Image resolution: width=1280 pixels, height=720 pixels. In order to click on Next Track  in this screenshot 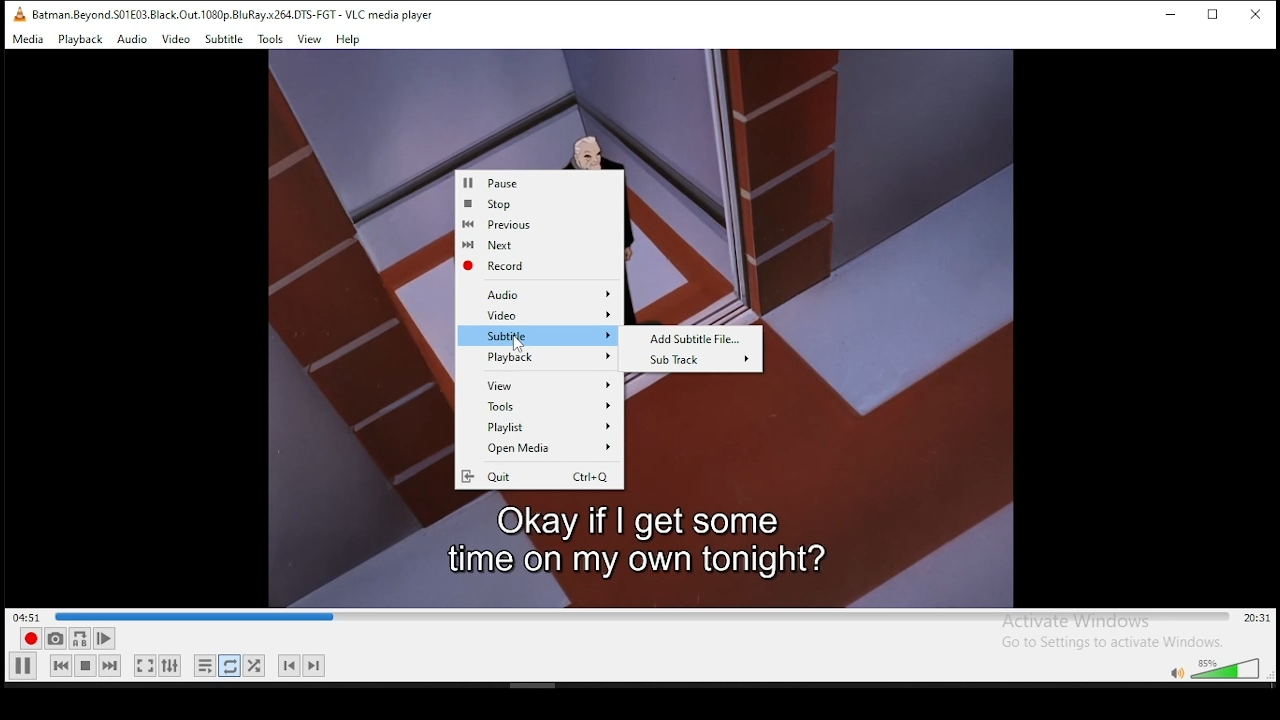, I will do `click(317, 665)`.